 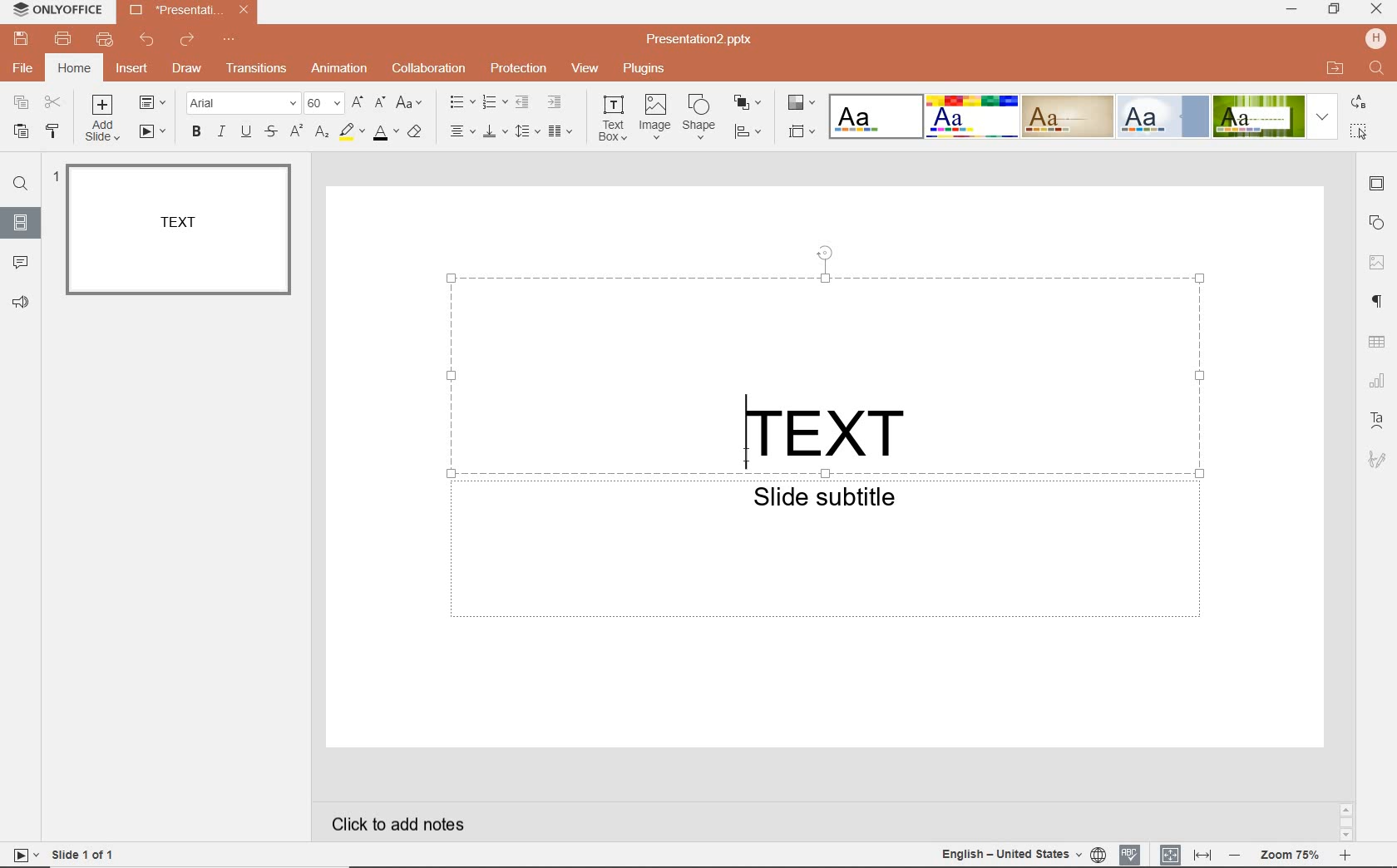 What do you see at coordinates (55, 9) in the screenshot?
I see `SYSTEM NAME` at bounding box center [55, 9].